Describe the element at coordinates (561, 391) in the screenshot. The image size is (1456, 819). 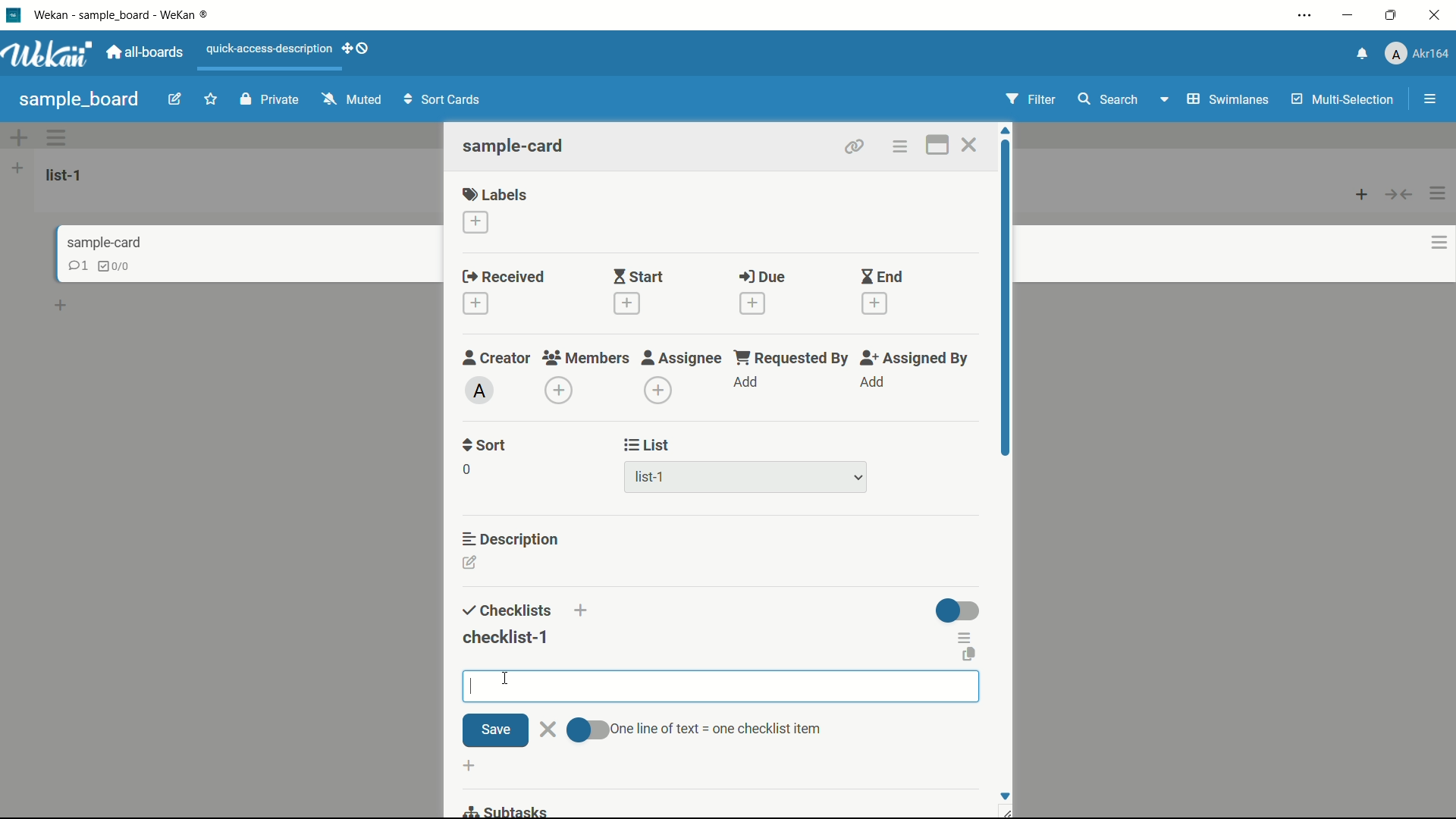
I see `add member` at that location.